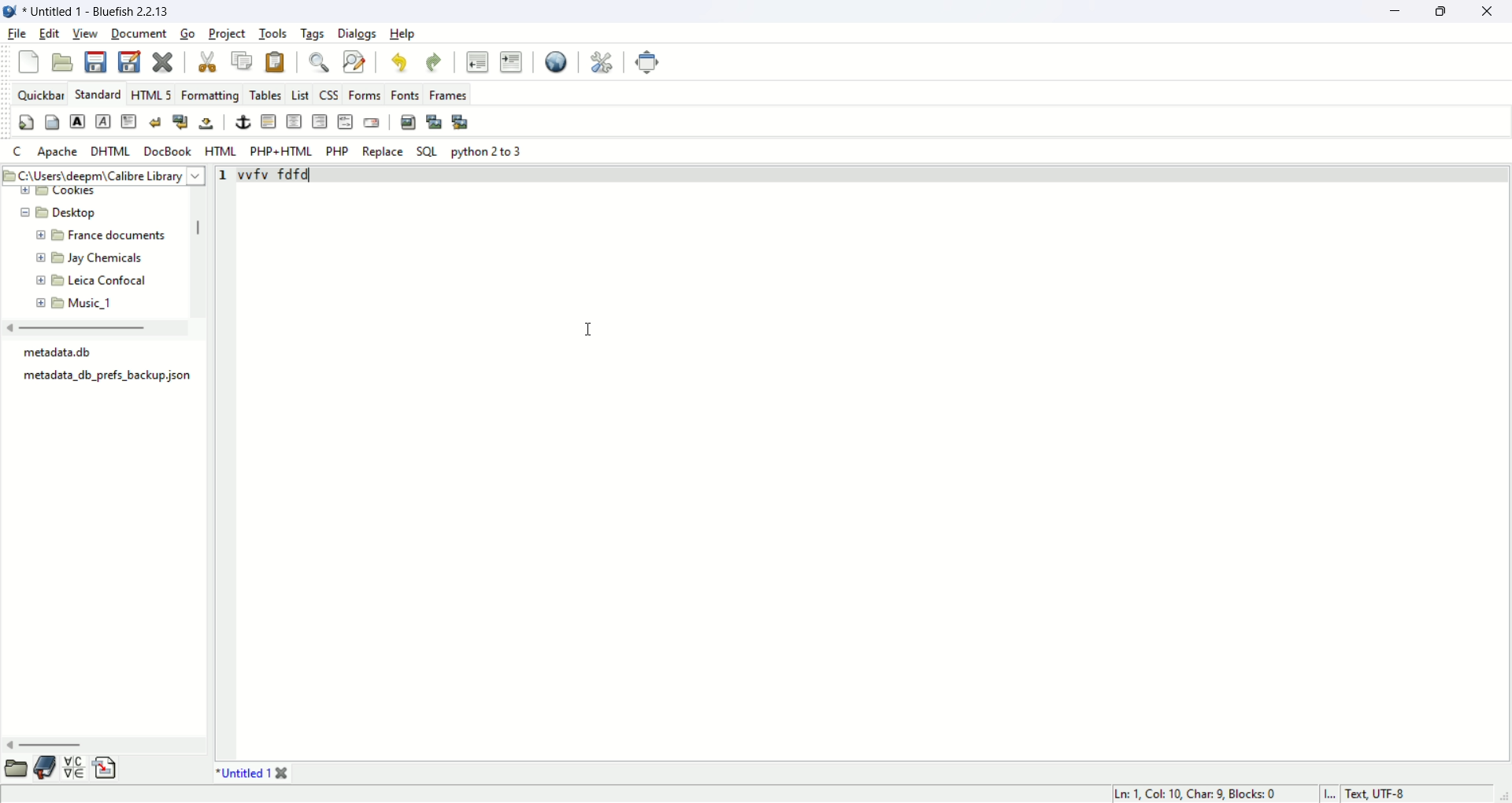  Describe the element at coordinates (446, 94) in the screenshot. I see `frames` at that location.